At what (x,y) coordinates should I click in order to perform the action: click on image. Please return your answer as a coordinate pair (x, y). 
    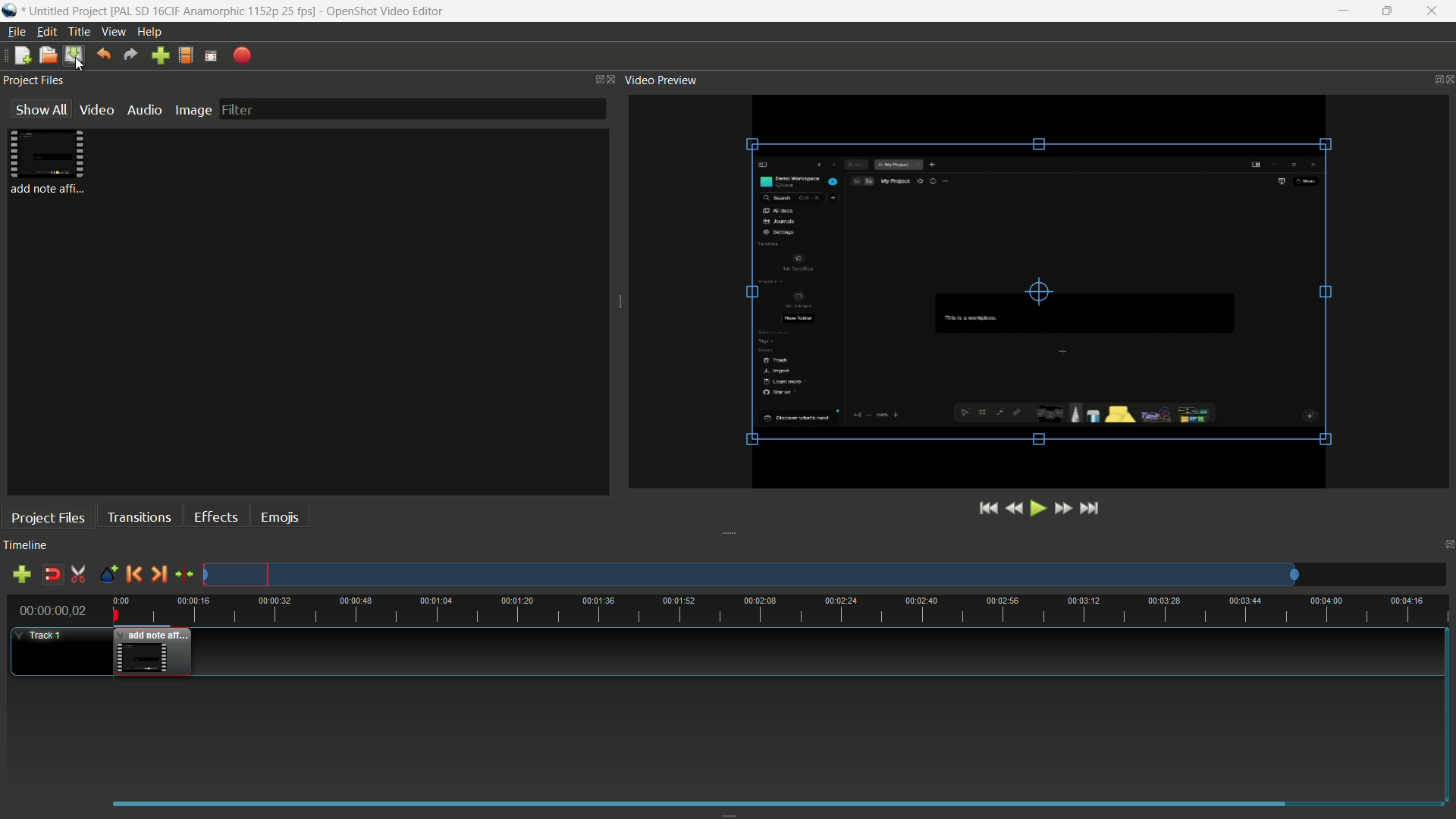
    Looking at the image, I should click on (190, 109).